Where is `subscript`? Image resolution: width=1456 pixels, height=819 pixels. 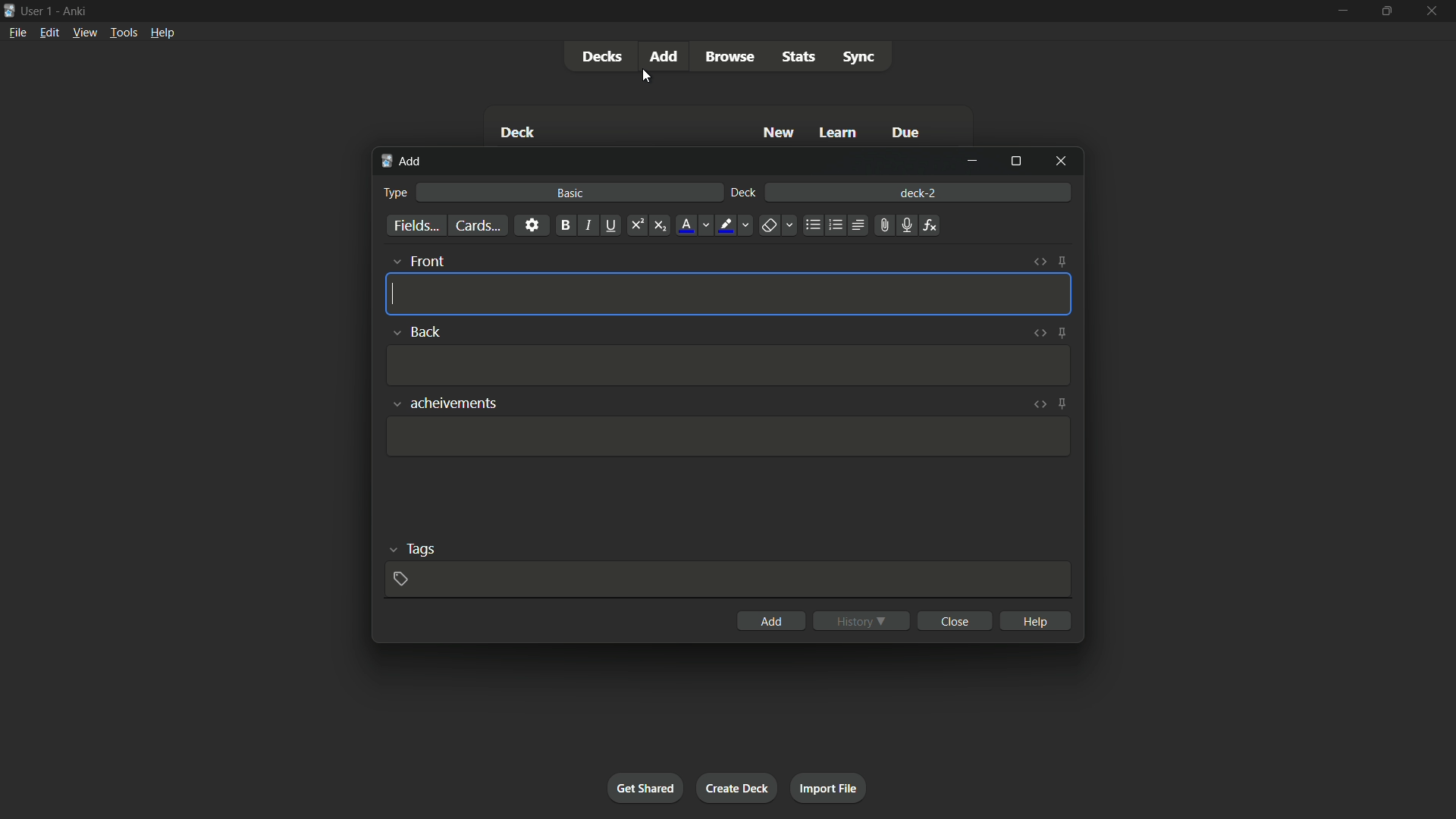 subscript is located at coordinates (661, 225).